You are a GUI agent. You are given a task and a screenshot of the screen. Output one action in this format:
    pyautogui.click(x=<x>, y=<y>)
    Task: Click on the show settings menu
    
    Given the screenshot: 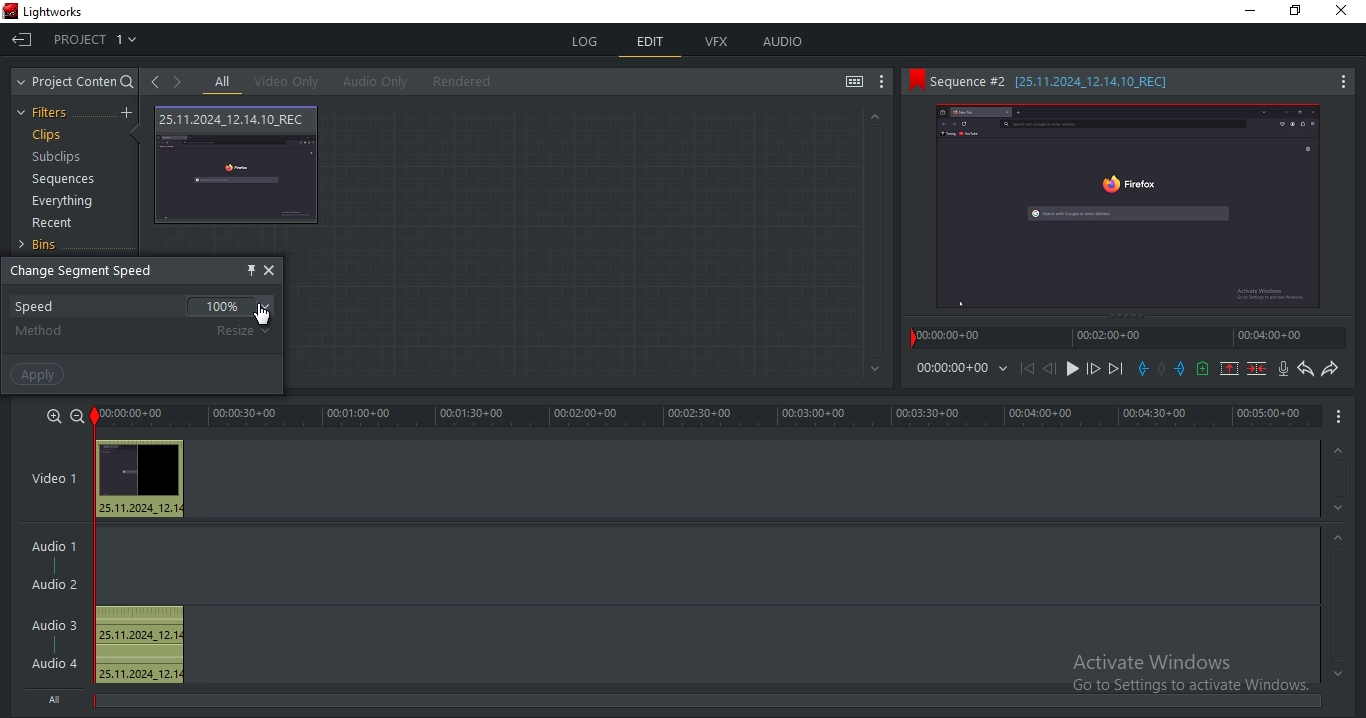 What is the action you would take?
    pyautogui.click(x=884, y=82)
    